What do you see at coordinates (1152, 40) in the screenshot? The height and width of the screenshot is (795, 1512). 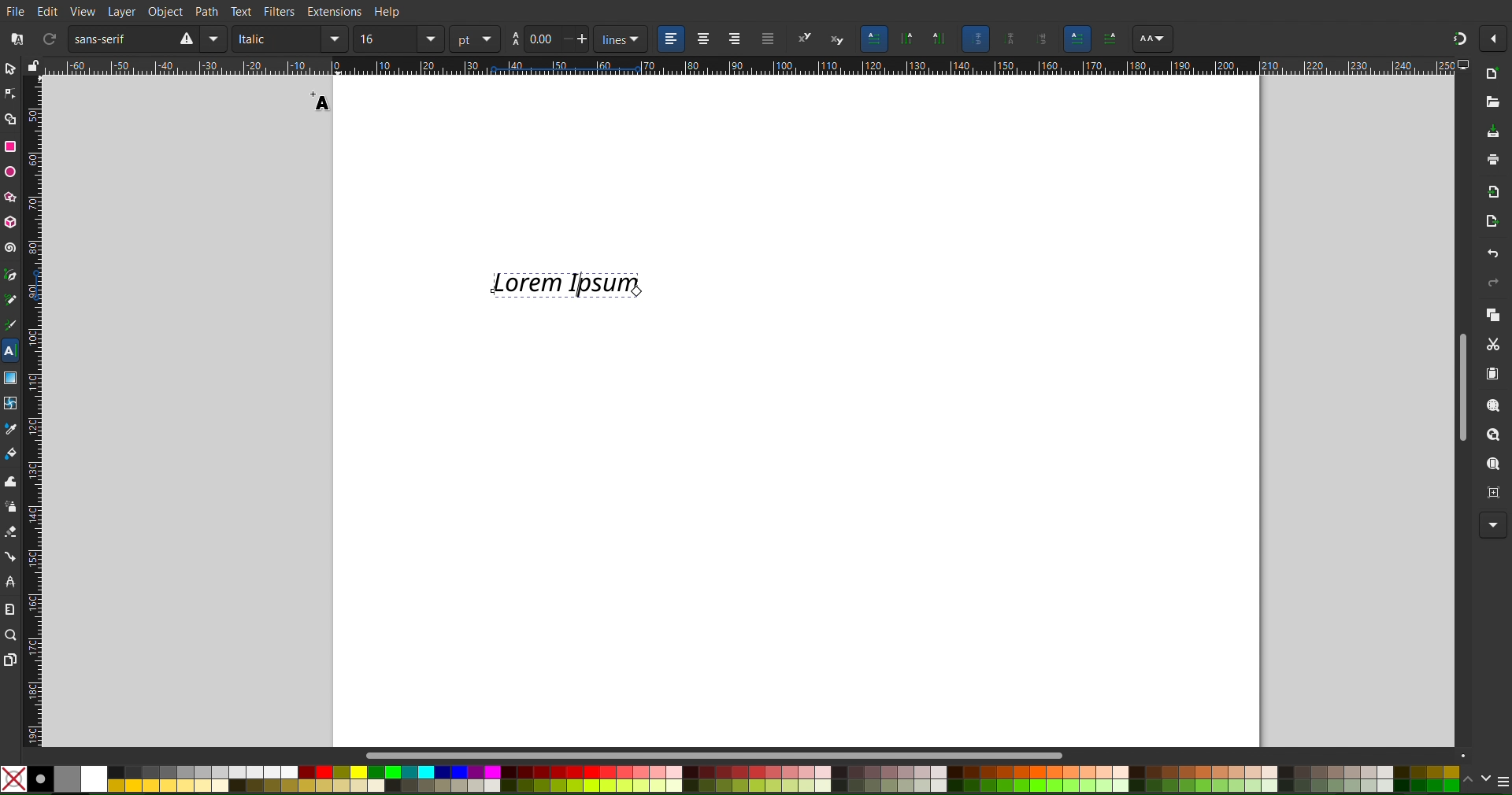 I see `AA` at bounding box center [1152, 40].